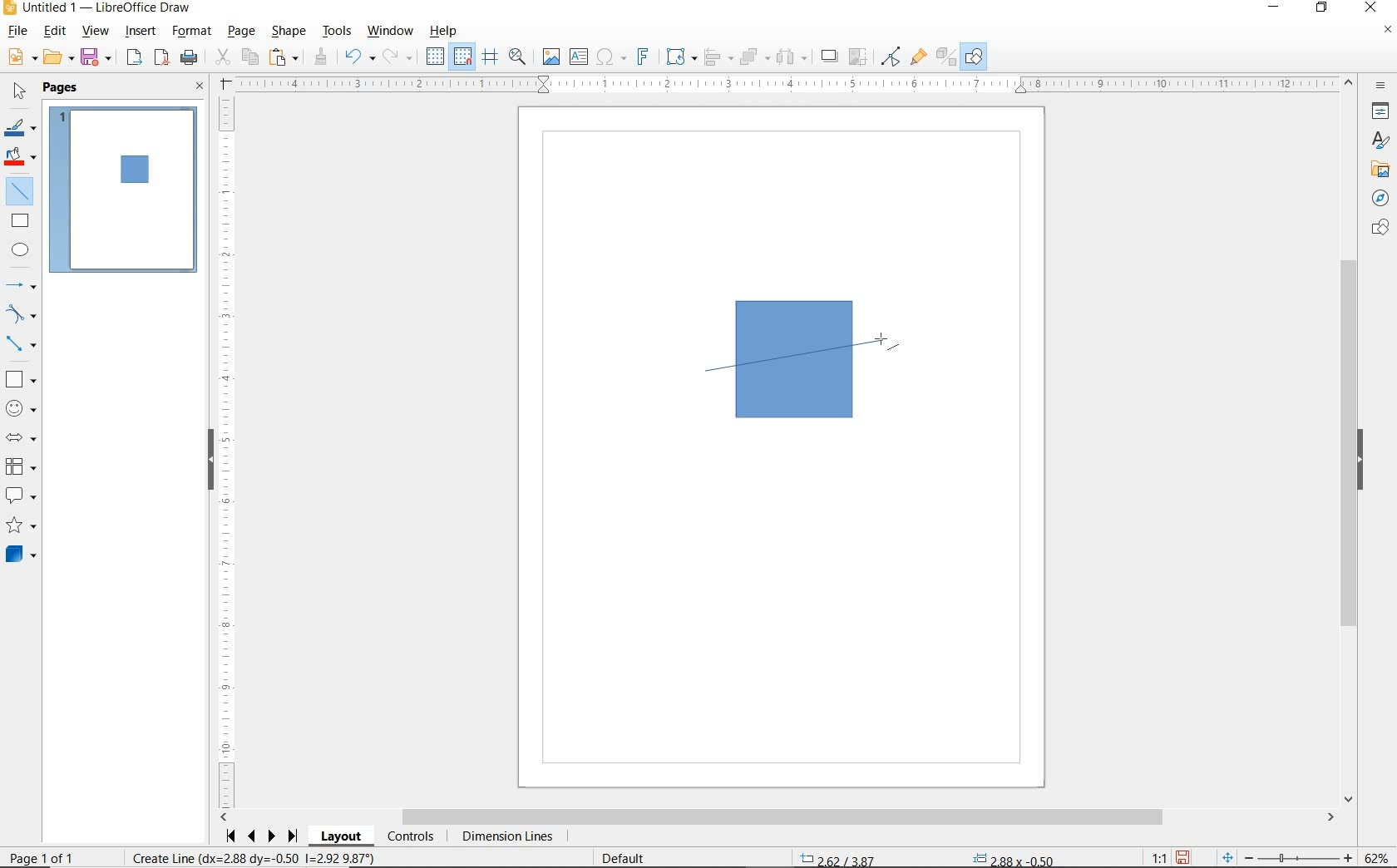  Describe the element at coordinates (227, 452) in the screenshot. I see `RULER` at that location.